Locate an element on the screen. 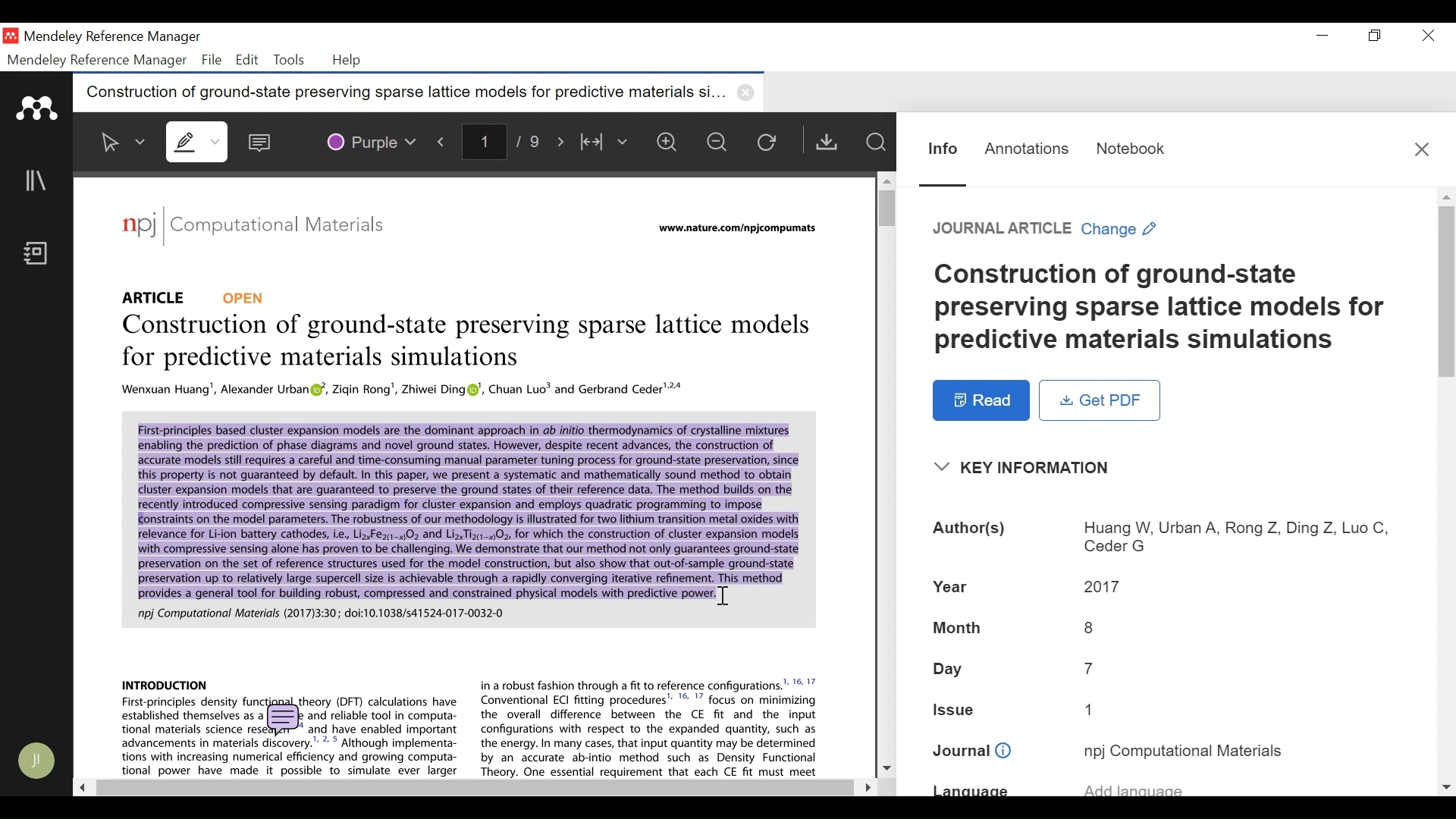 This screenshot has height=819, width=1456. URL is located at coordinates (740, 229).